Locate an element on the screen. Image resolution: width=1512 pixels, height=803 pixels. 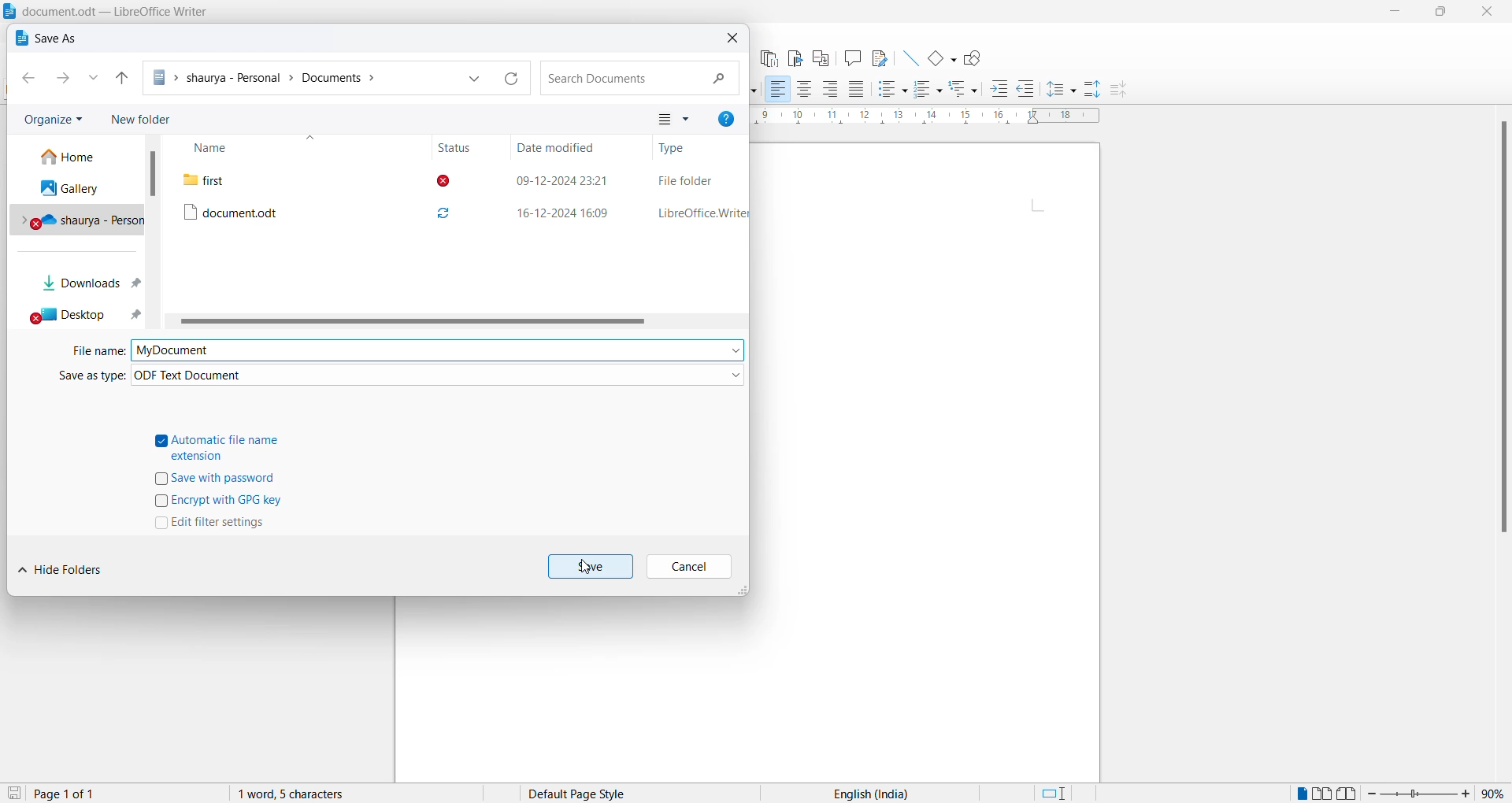
scrollbar is located at coordinates (1502, 332).